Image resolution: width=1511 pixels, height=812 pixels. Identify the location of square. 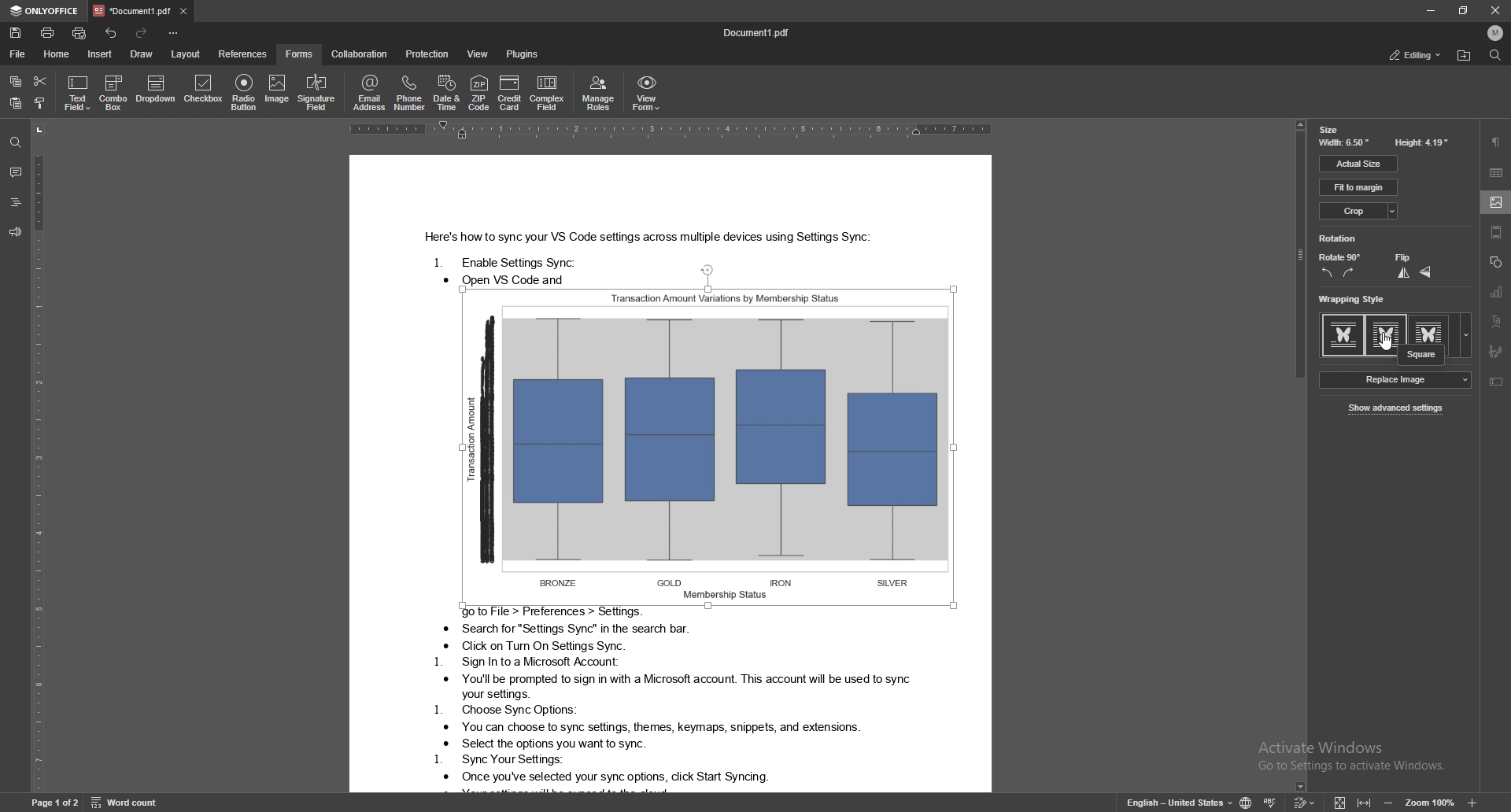
(1387, 331).